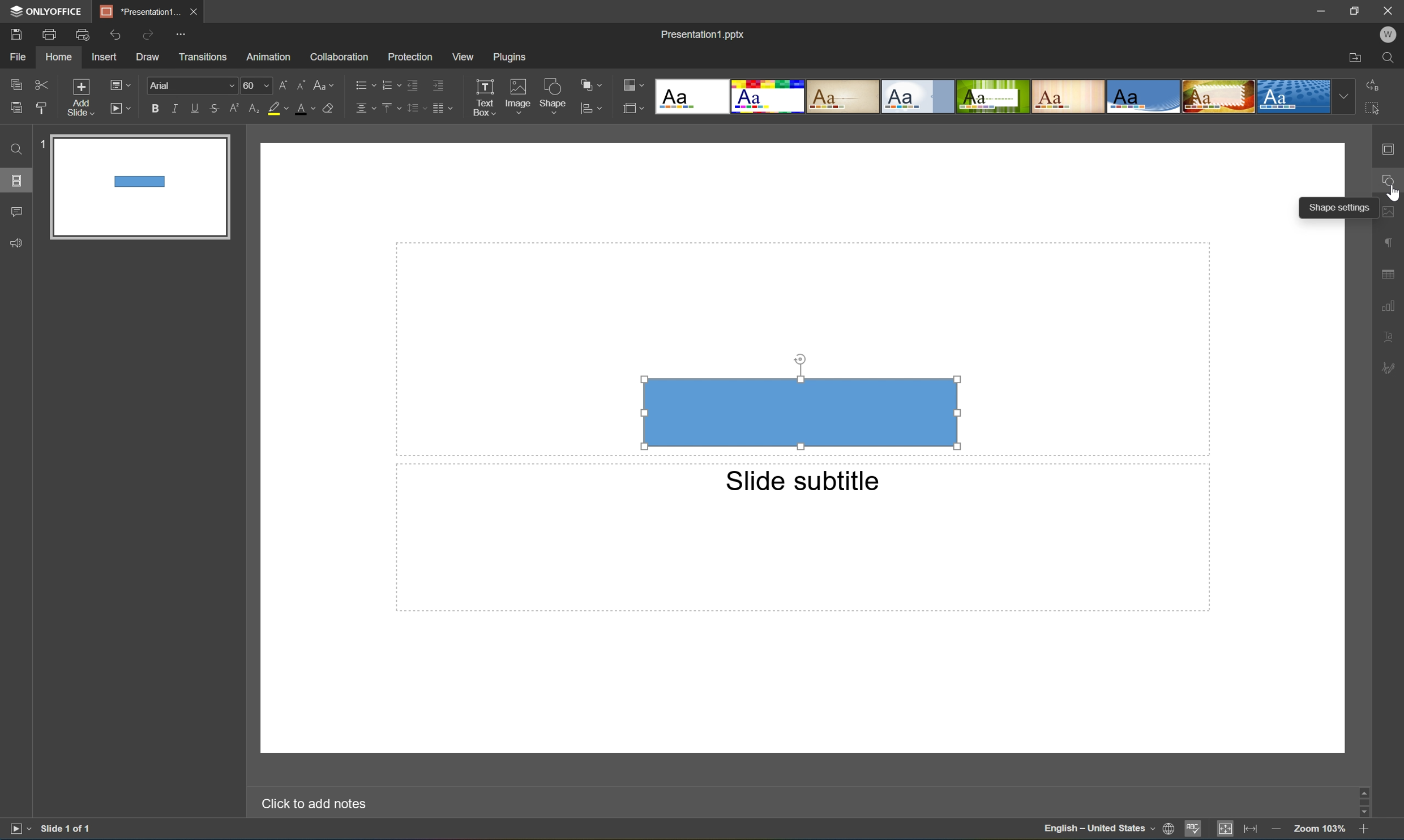 The height and width of the screenshot is (840, 1404). Describe the element at coordinates (17, 212) in the screenshot. I see `Comments` at that location.